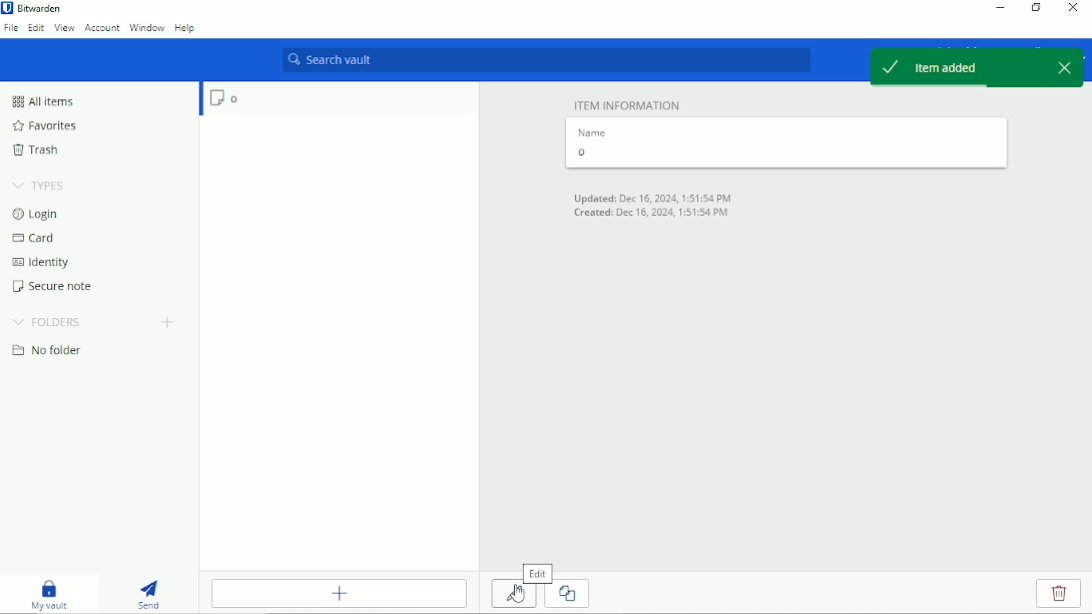 The height and width of the screenshot is (614, 1092). Describe the element at coordinates (64, 28) in the screenshot. I see `View` at that location.